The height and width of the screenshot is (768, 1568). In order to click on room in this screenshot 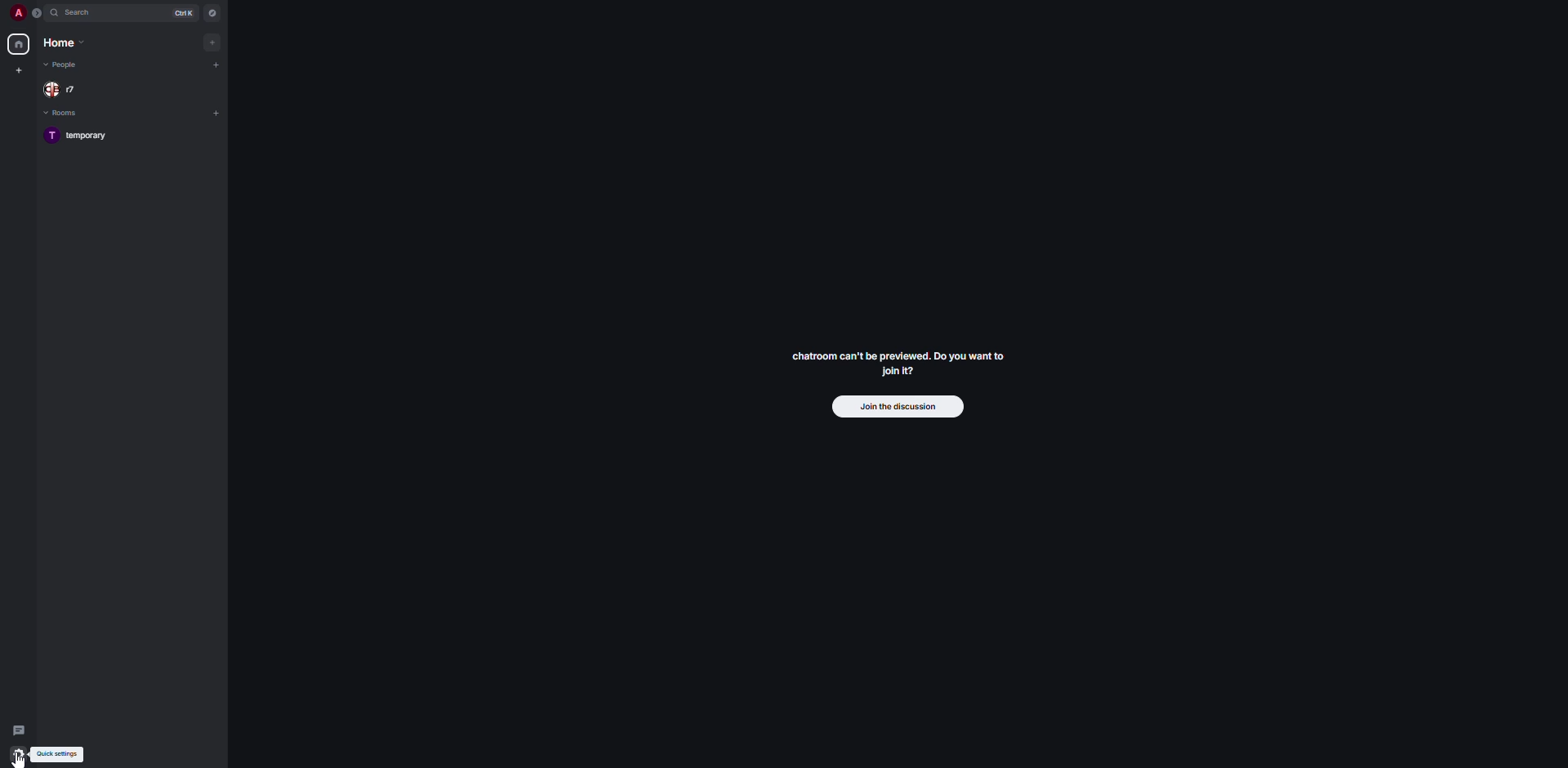, I will do `click(81, 136)`.